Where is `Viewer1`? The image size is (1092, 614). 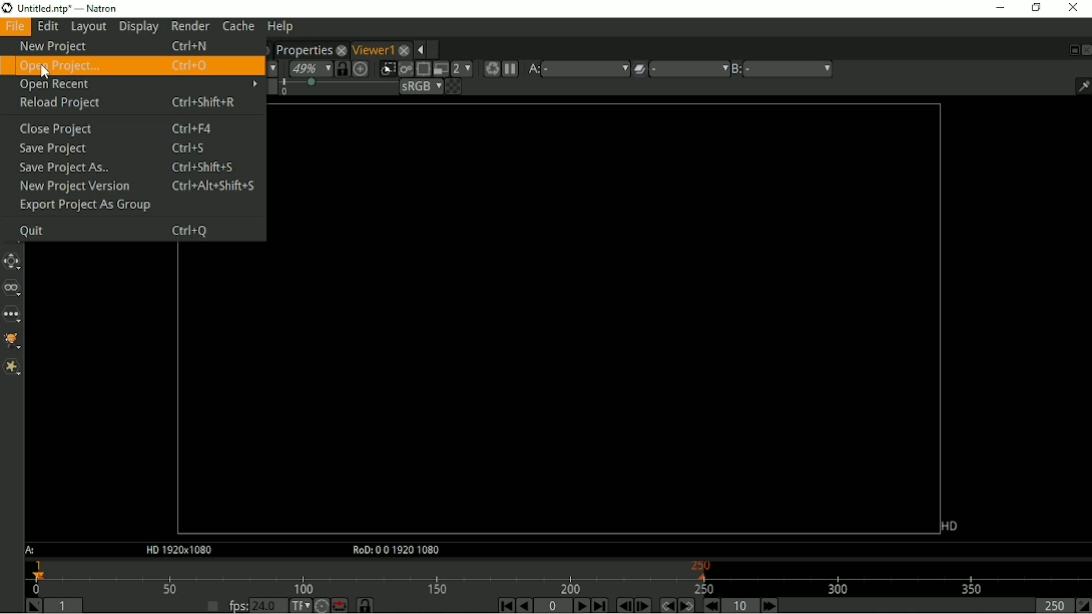
Viewer1 is located at coordinates (372, 49).